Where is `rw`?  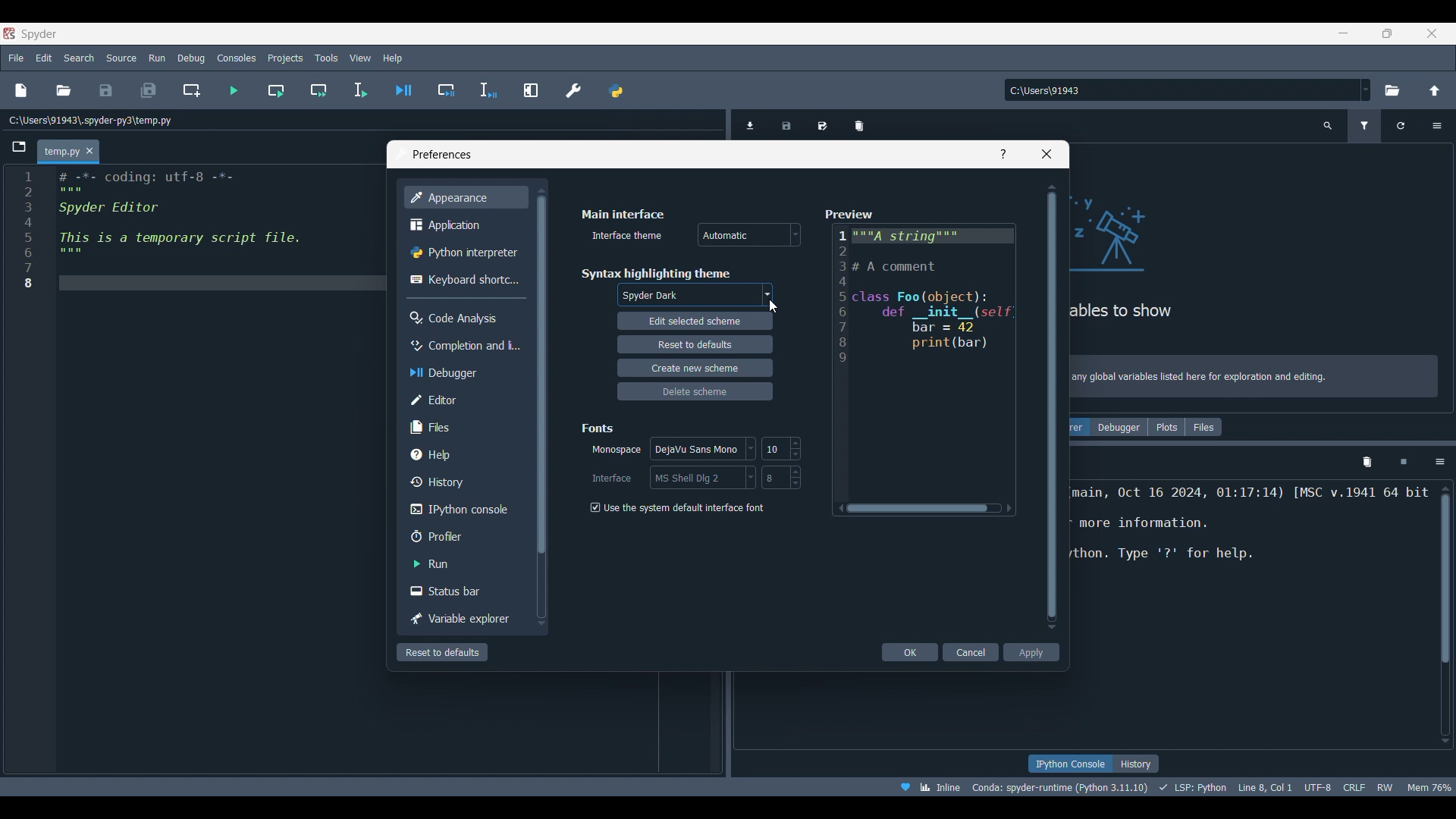
rw is located at coordinates (1388, 788).